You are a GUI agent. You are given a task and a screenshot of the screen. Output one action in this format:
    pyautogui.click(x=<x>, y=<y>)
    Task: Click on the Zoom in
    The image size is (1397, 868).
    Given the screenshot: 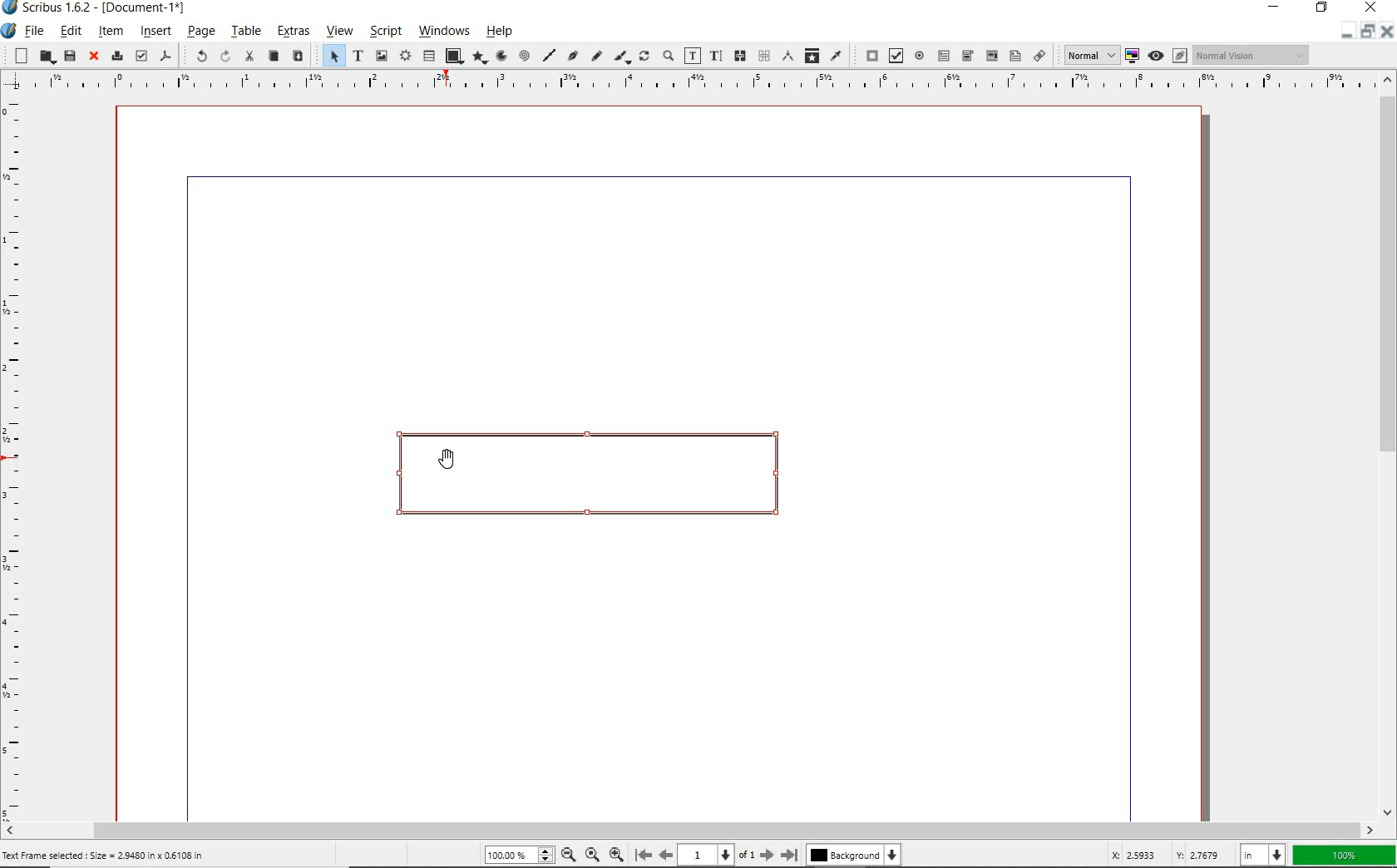 What is the action you would take?
    pyautogui.click(x=616, y=853)
    